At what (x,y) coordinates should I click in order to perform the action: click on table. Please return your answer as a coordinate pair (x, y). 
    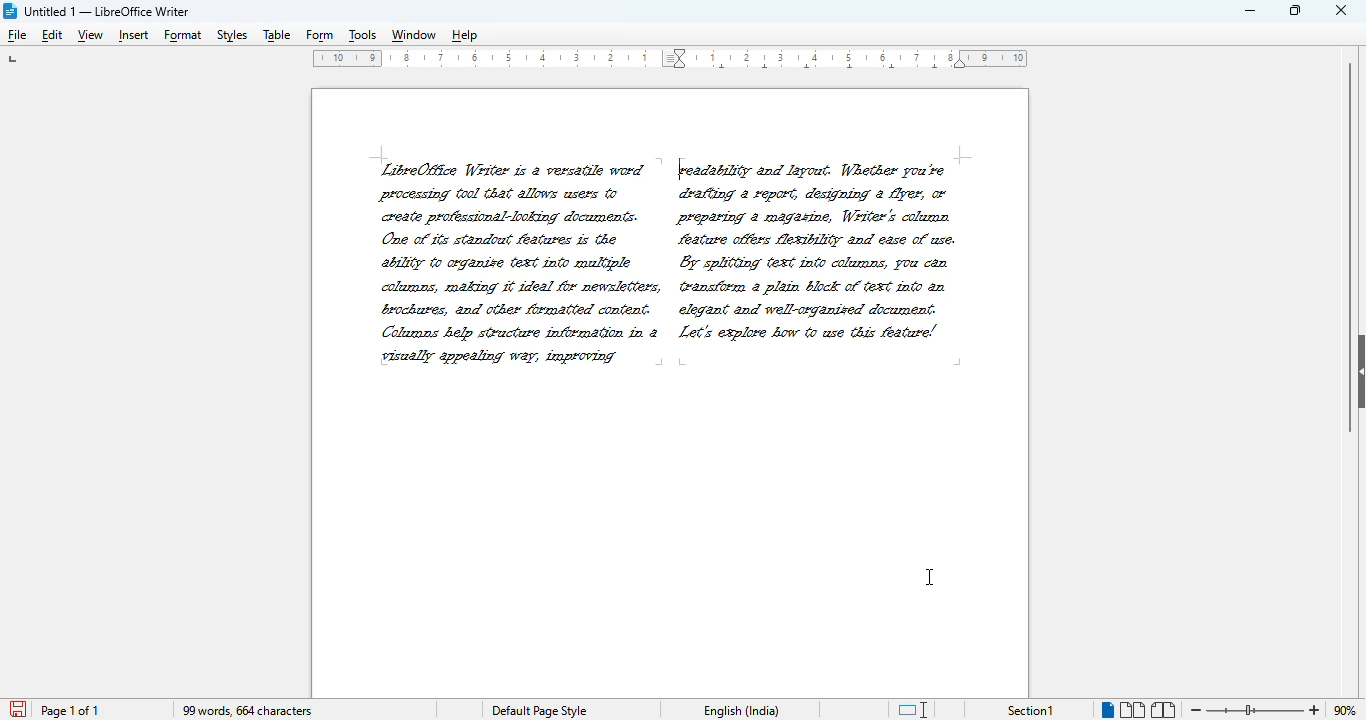
    Looking at the image, I should click on (276, 35).